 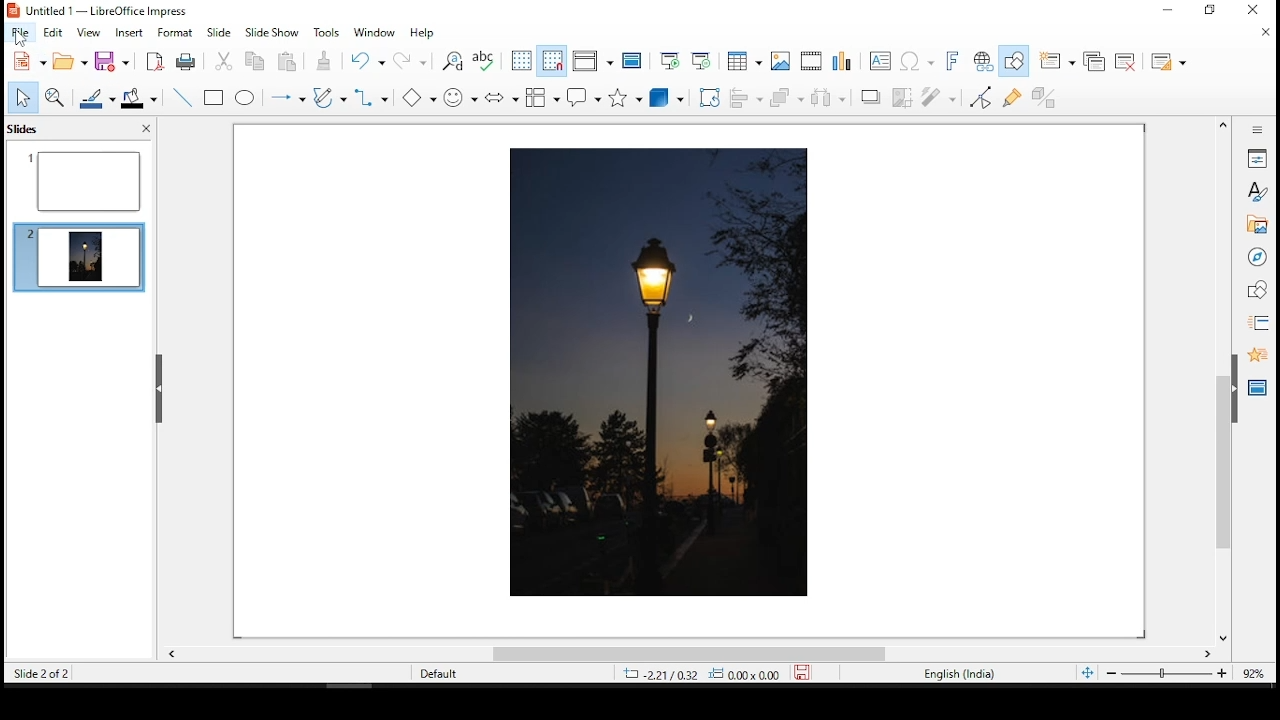 I want to click on acrobat as pdf, so click(x=155, y=61).